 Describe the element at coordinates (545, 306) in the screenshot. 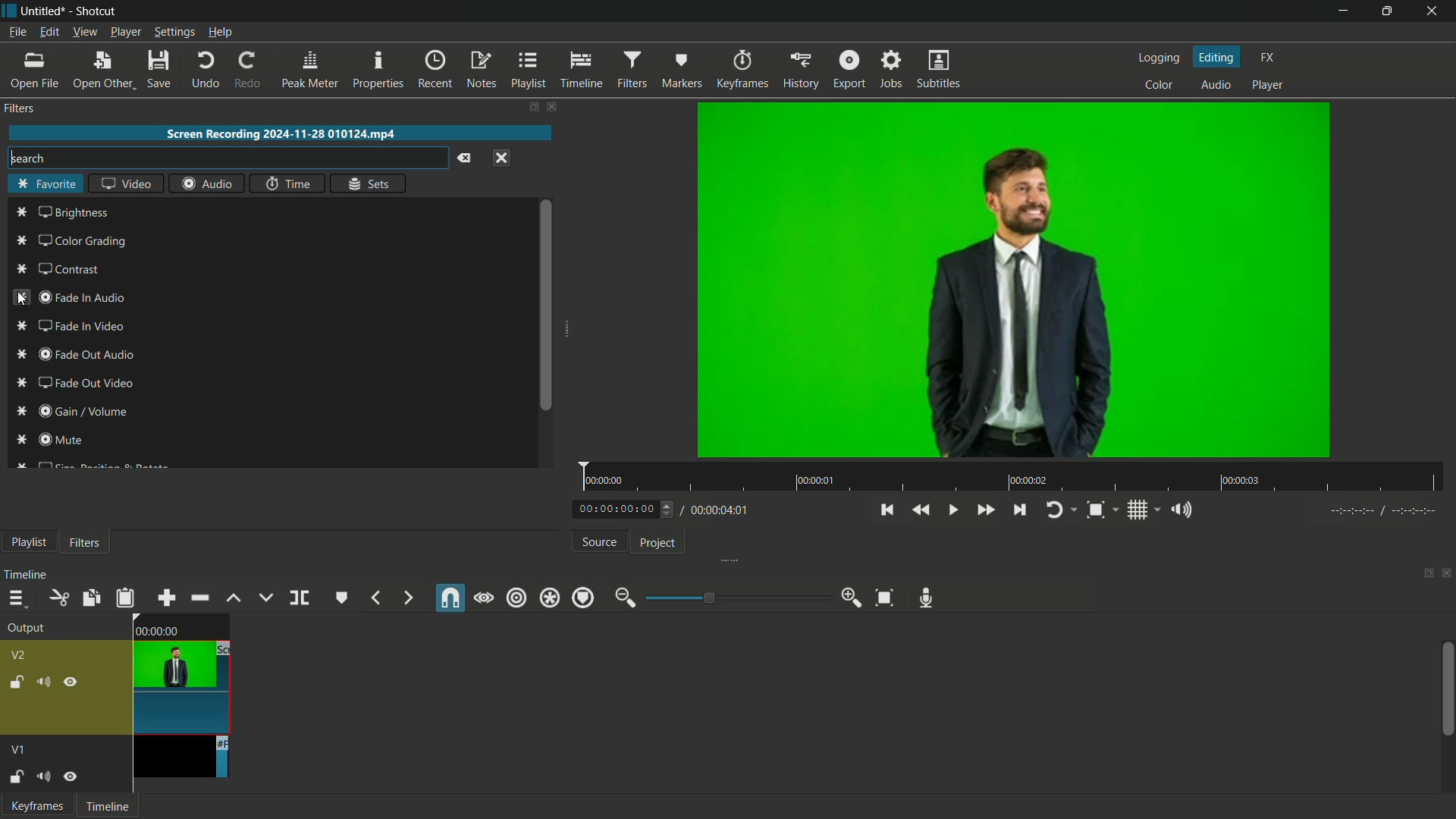

I see `scroll bar` at that location.